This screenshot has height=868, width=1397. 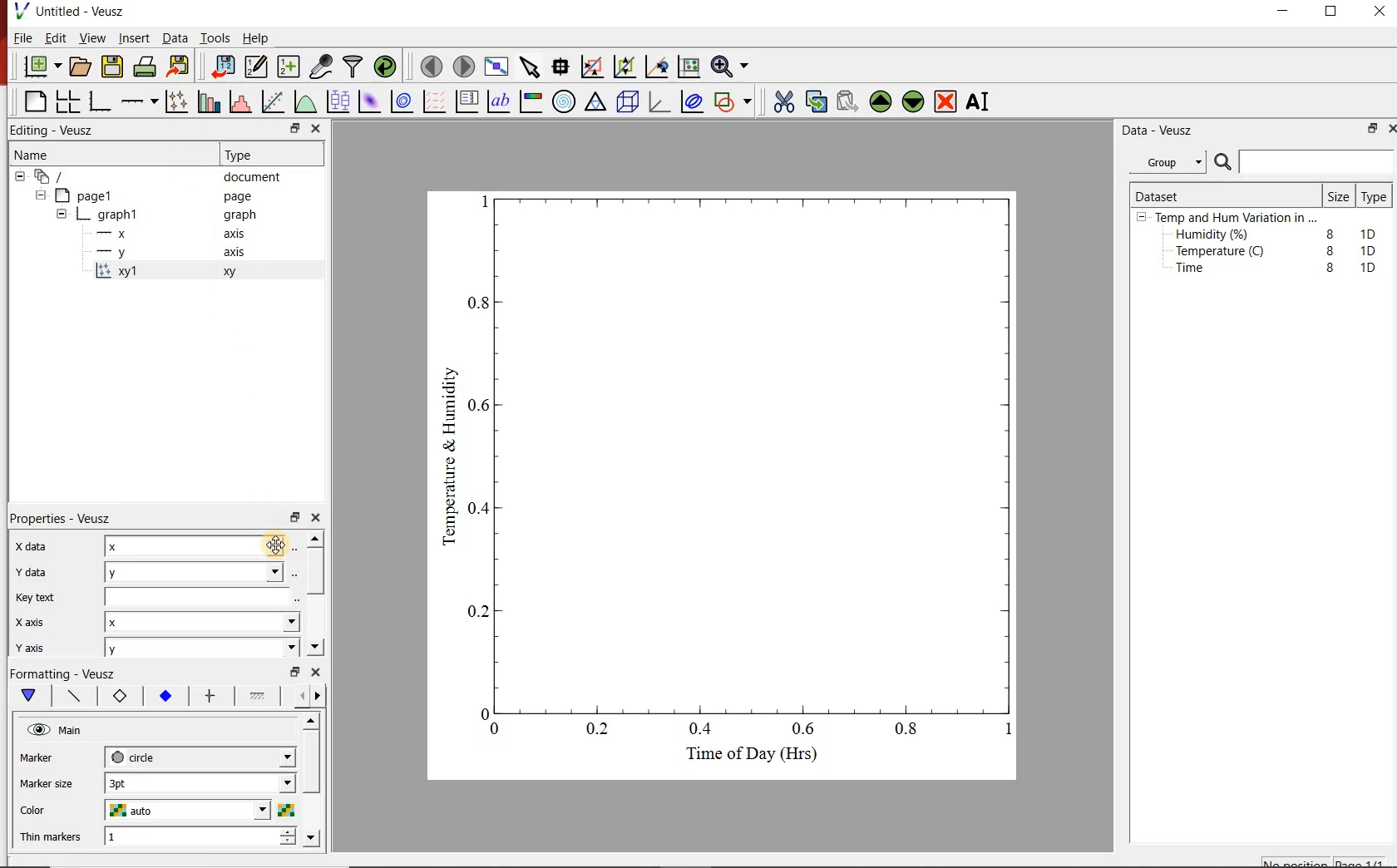 I want to click on x data, so click(x=42, y=542).